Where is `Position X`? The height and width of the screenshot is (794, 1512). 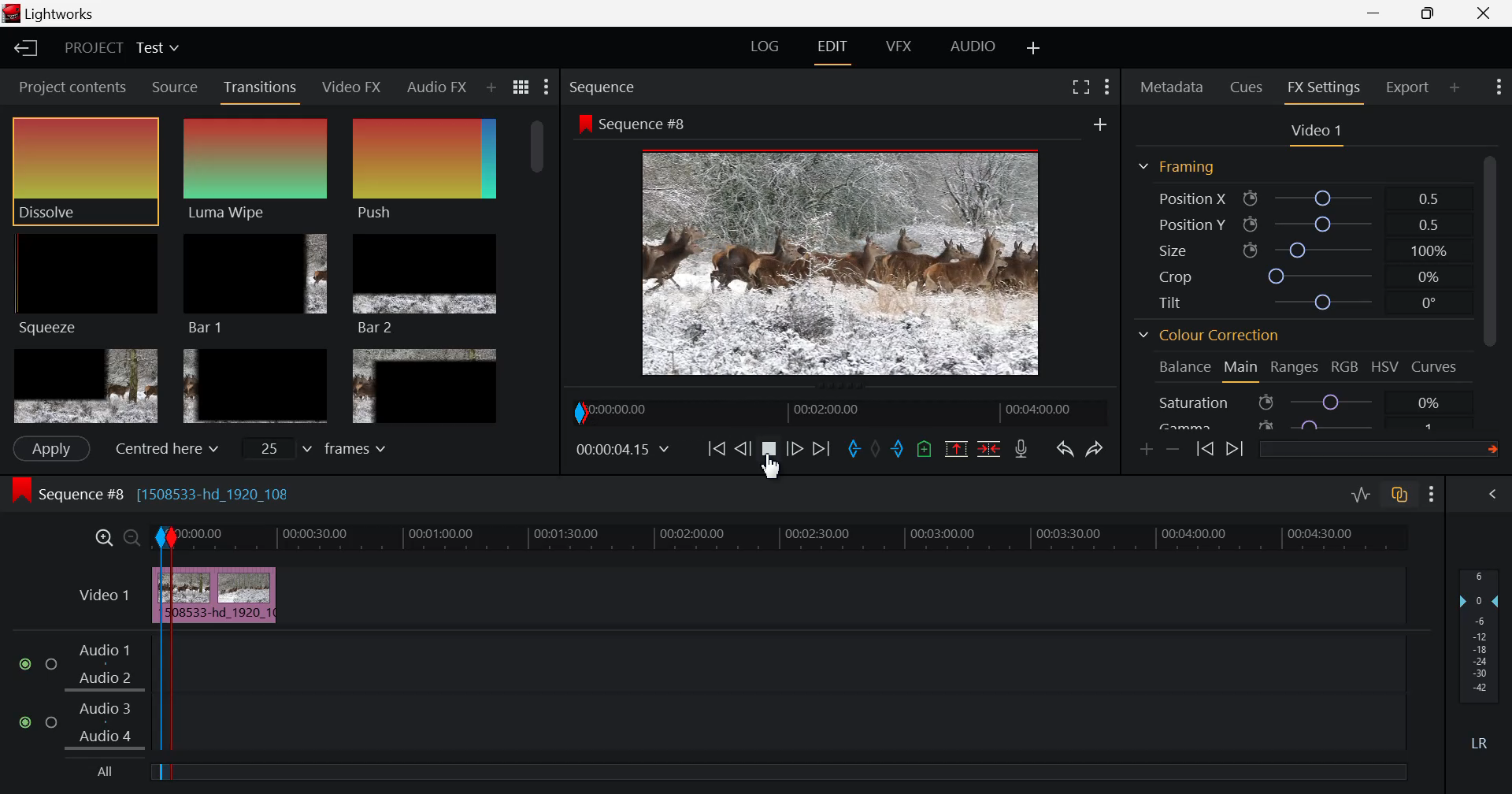
Position X is located at coordinates (1303, 198).